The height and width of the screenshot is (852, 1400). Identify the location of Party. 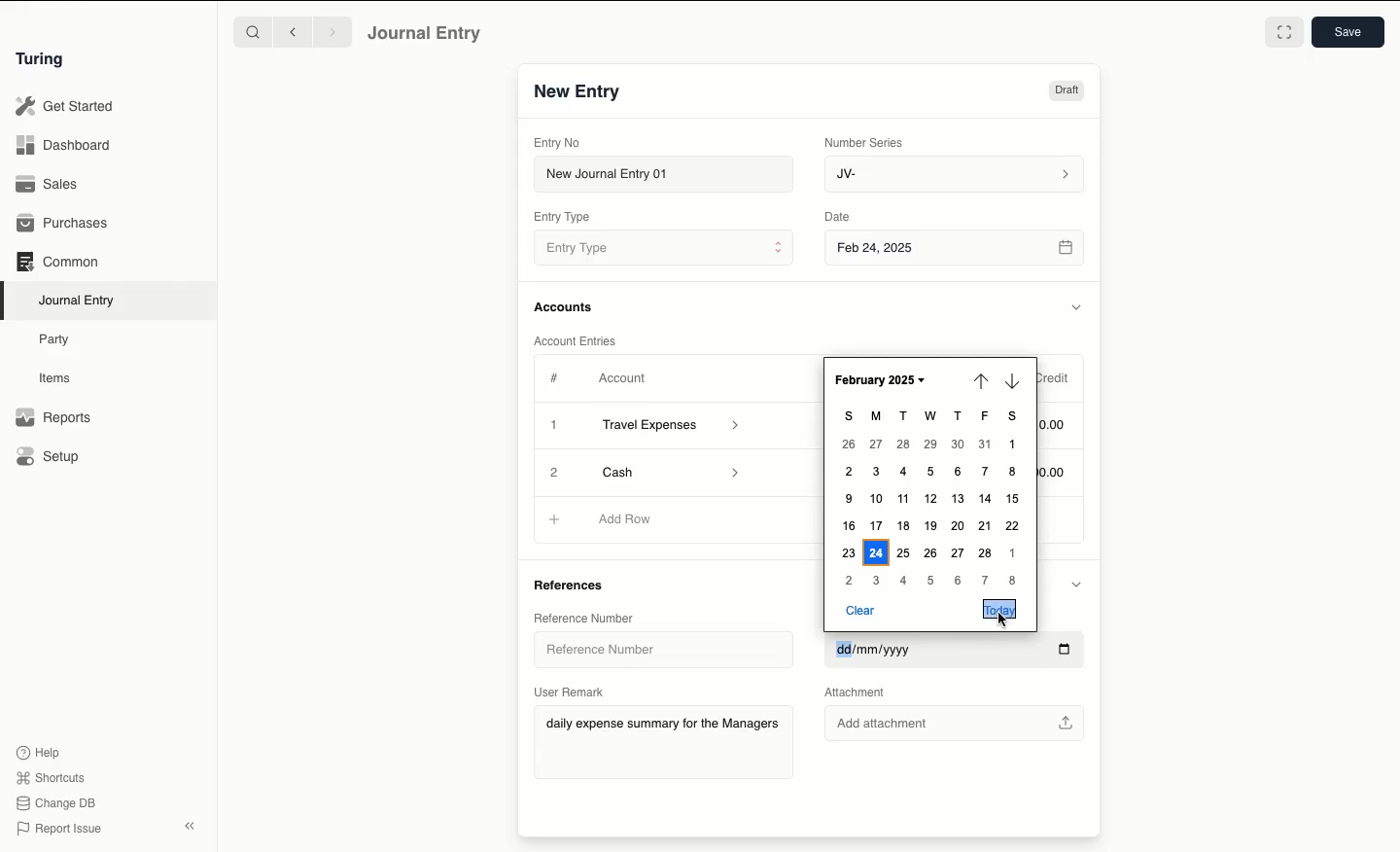
(59, 340).